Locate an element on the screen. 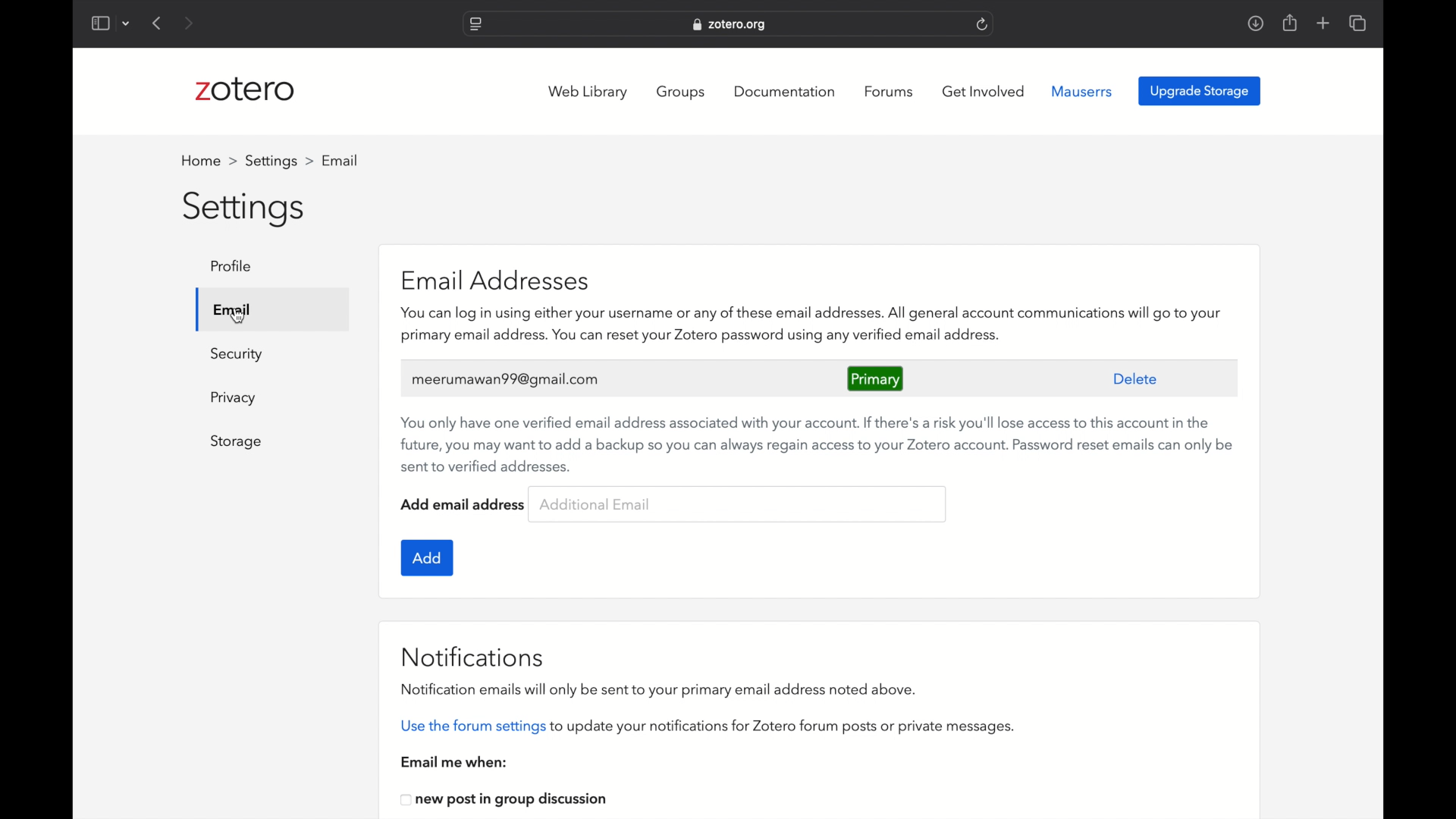 This screenshot has width=1456, height=819. share is located at coordinates (1291, 24).